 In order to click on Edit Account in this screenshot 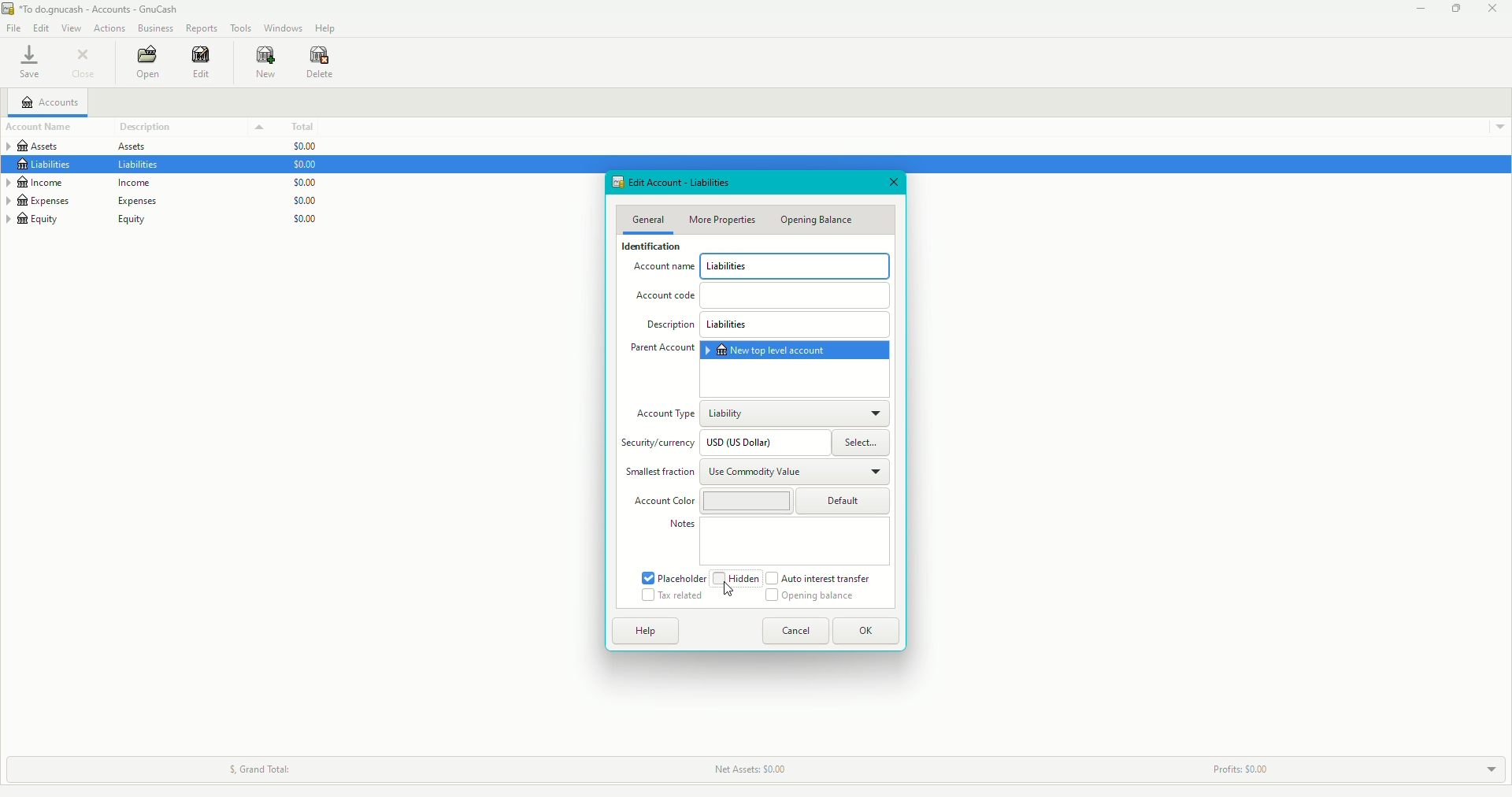, I will do `click(679, 182)`.